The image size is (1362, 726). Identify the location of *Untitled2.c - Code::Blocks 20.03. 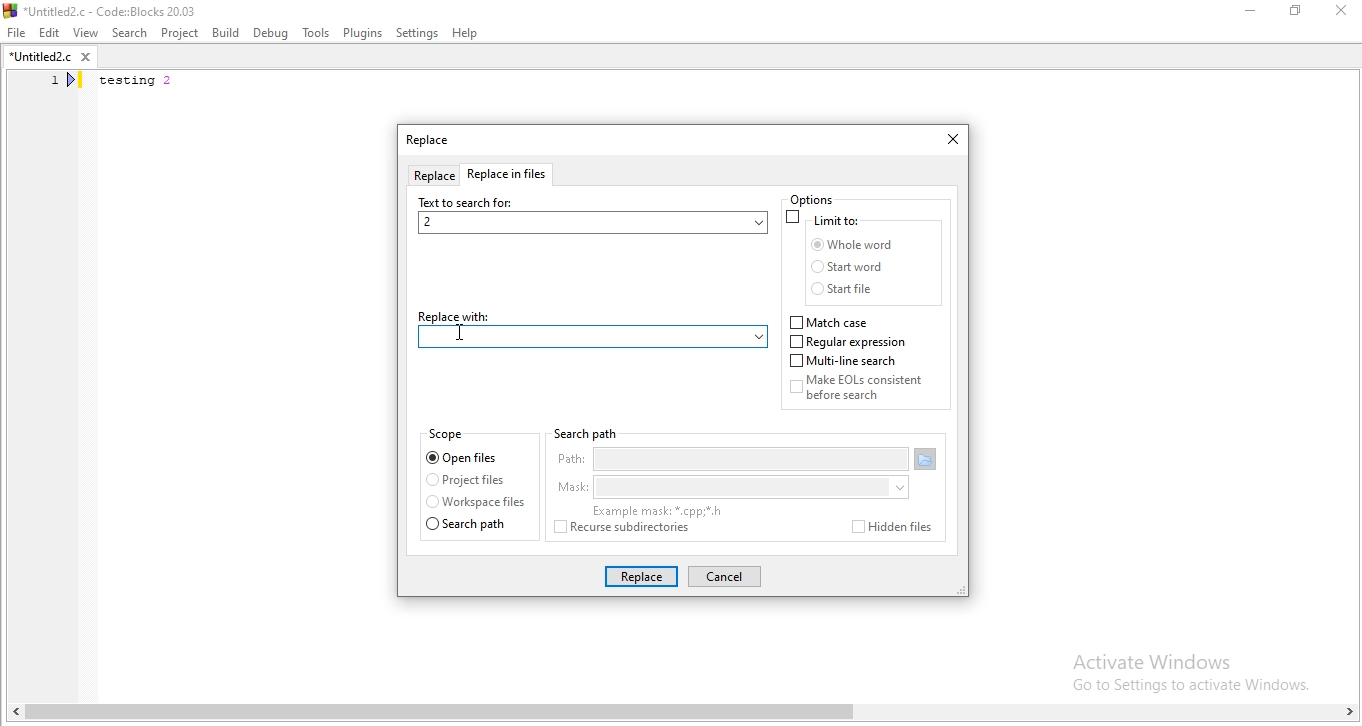
(121, 9).